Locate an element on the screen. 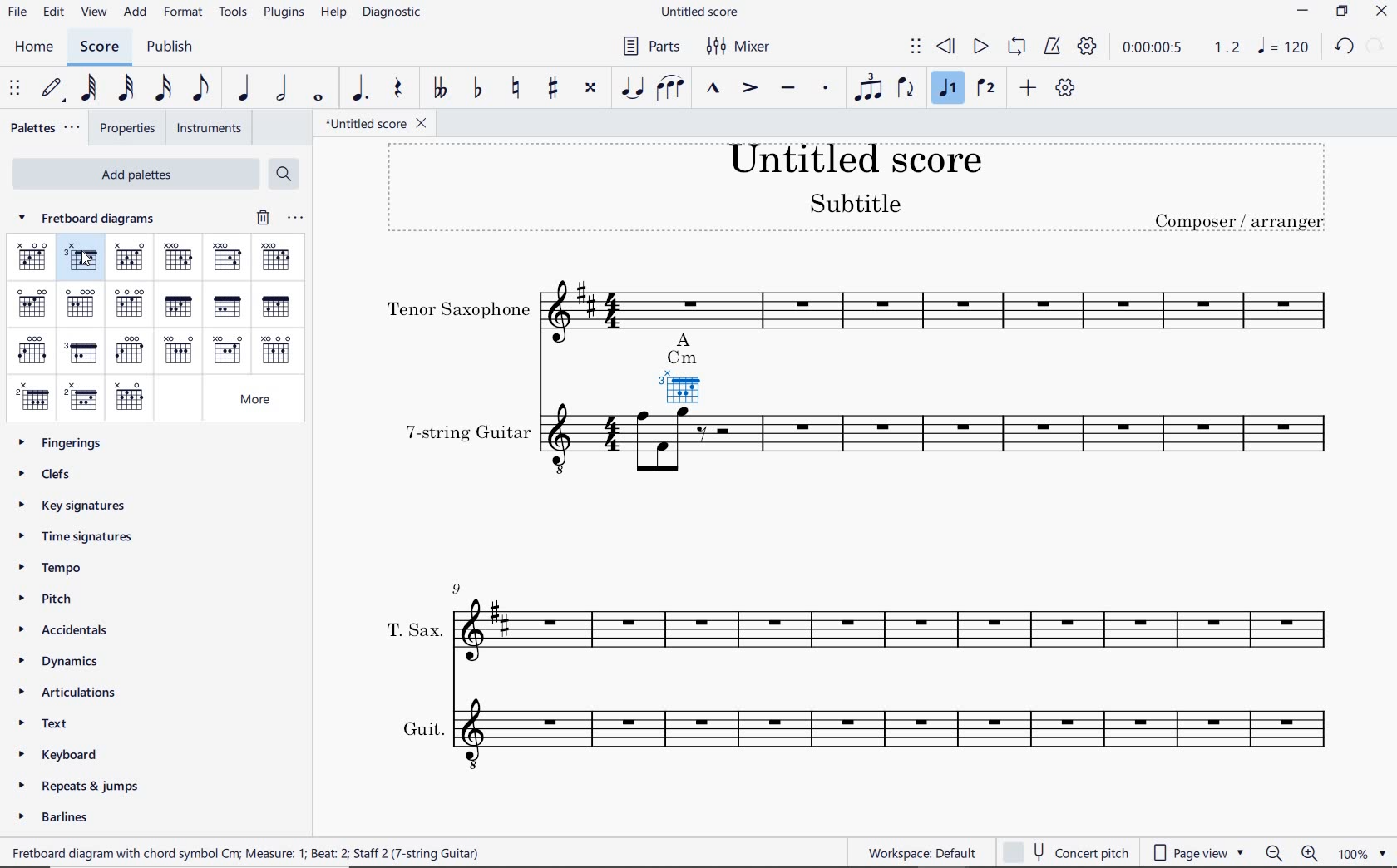 This screenshot has height=868, width=1397. ARTICULATIONS is located at coordinates (77, 694).